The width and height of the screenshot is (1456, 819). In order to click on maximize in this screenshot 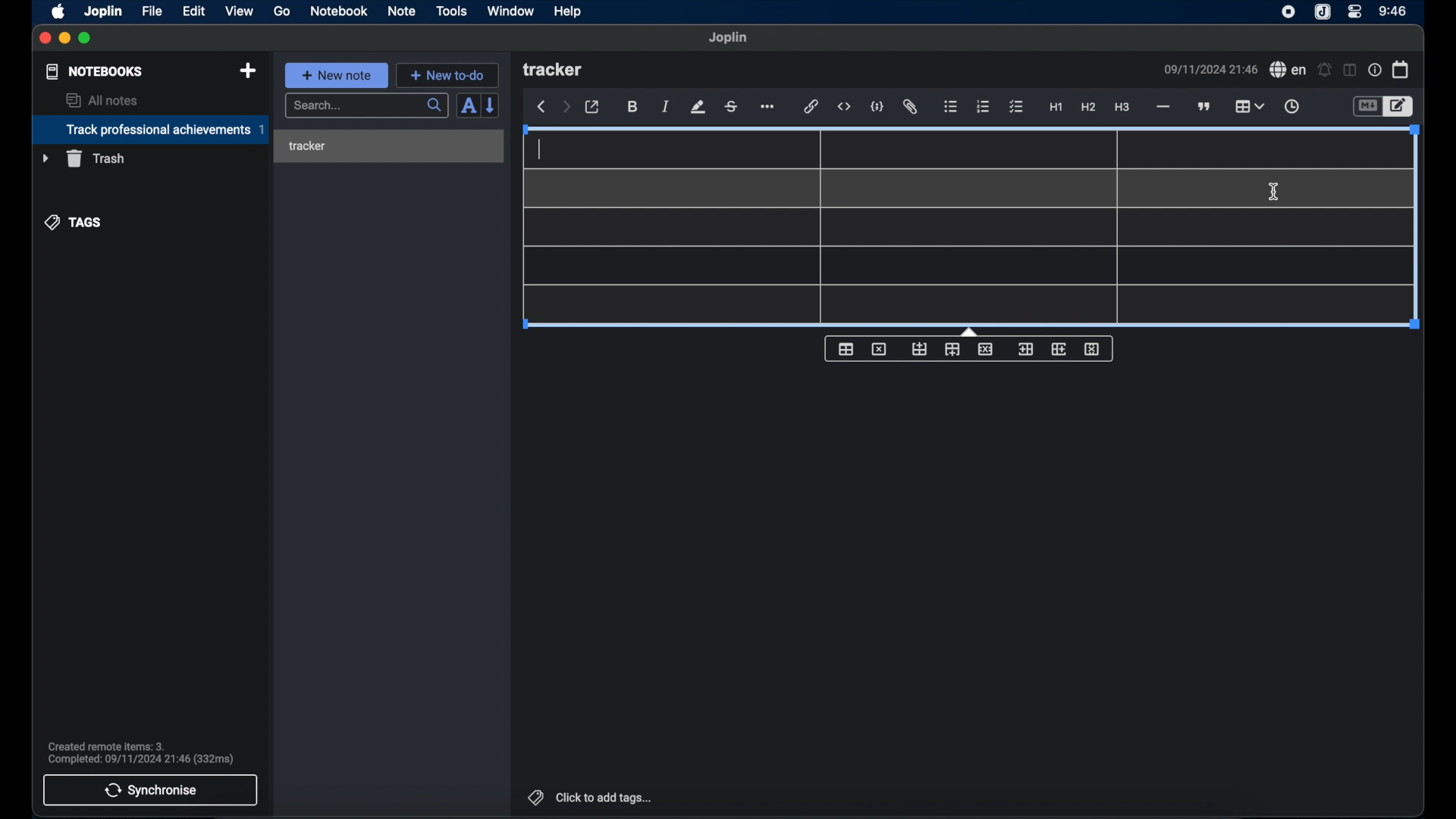, I will do `click(86, 39)`.